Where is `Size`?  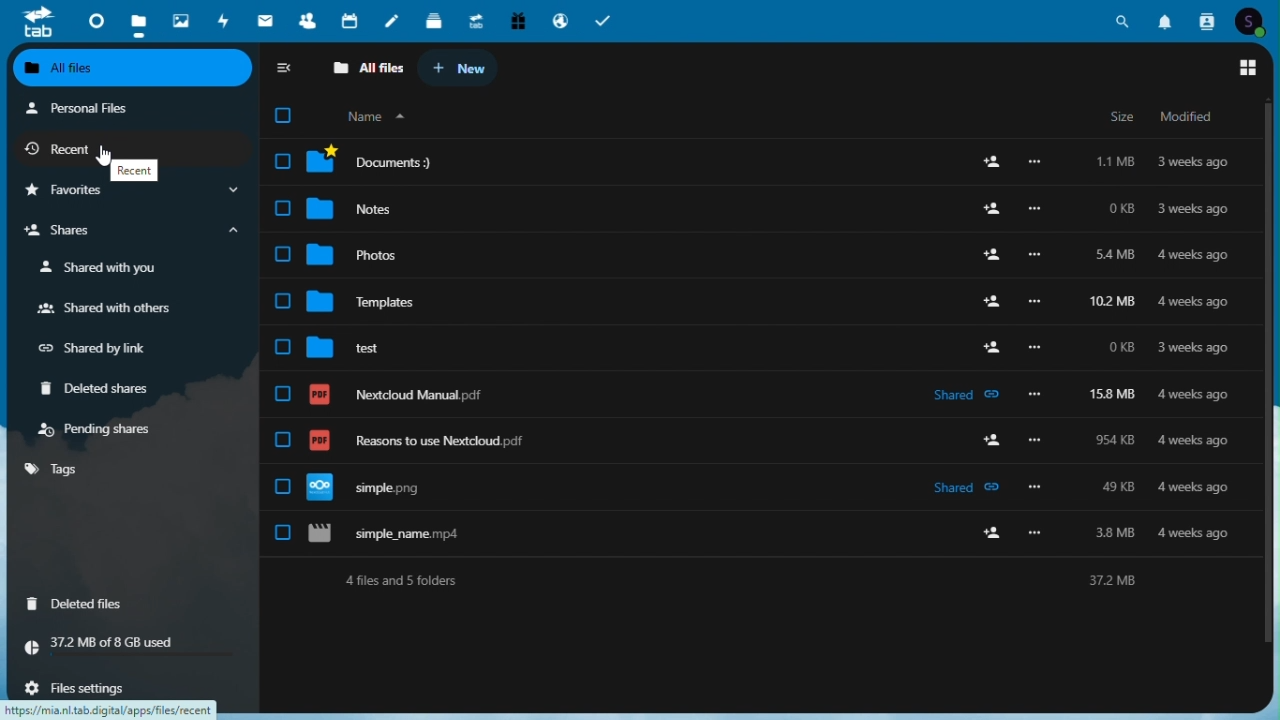
Size is located at coordinates (1122, 114).